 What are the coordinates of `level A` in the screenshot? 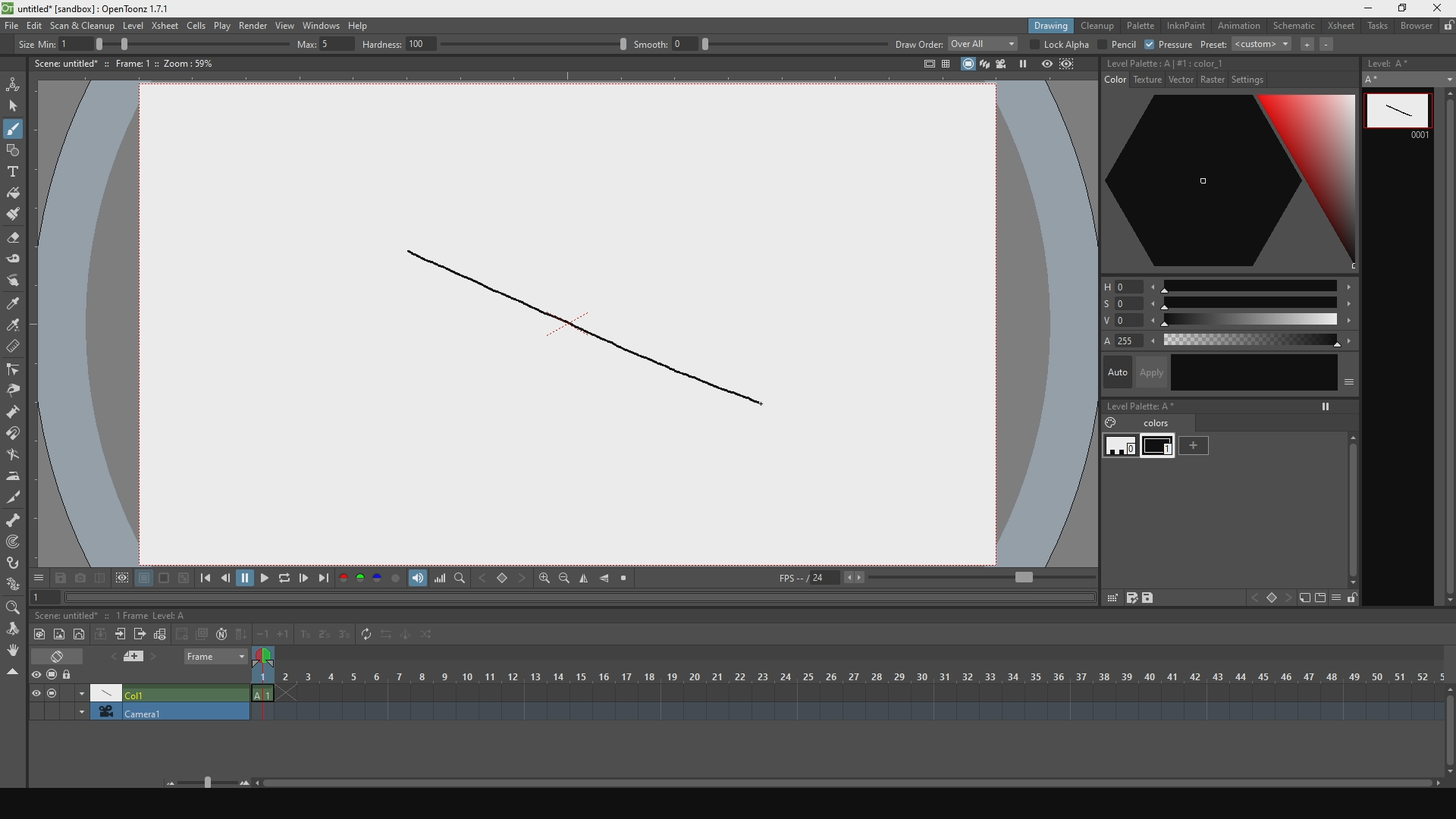 It's located at (1407, 63).